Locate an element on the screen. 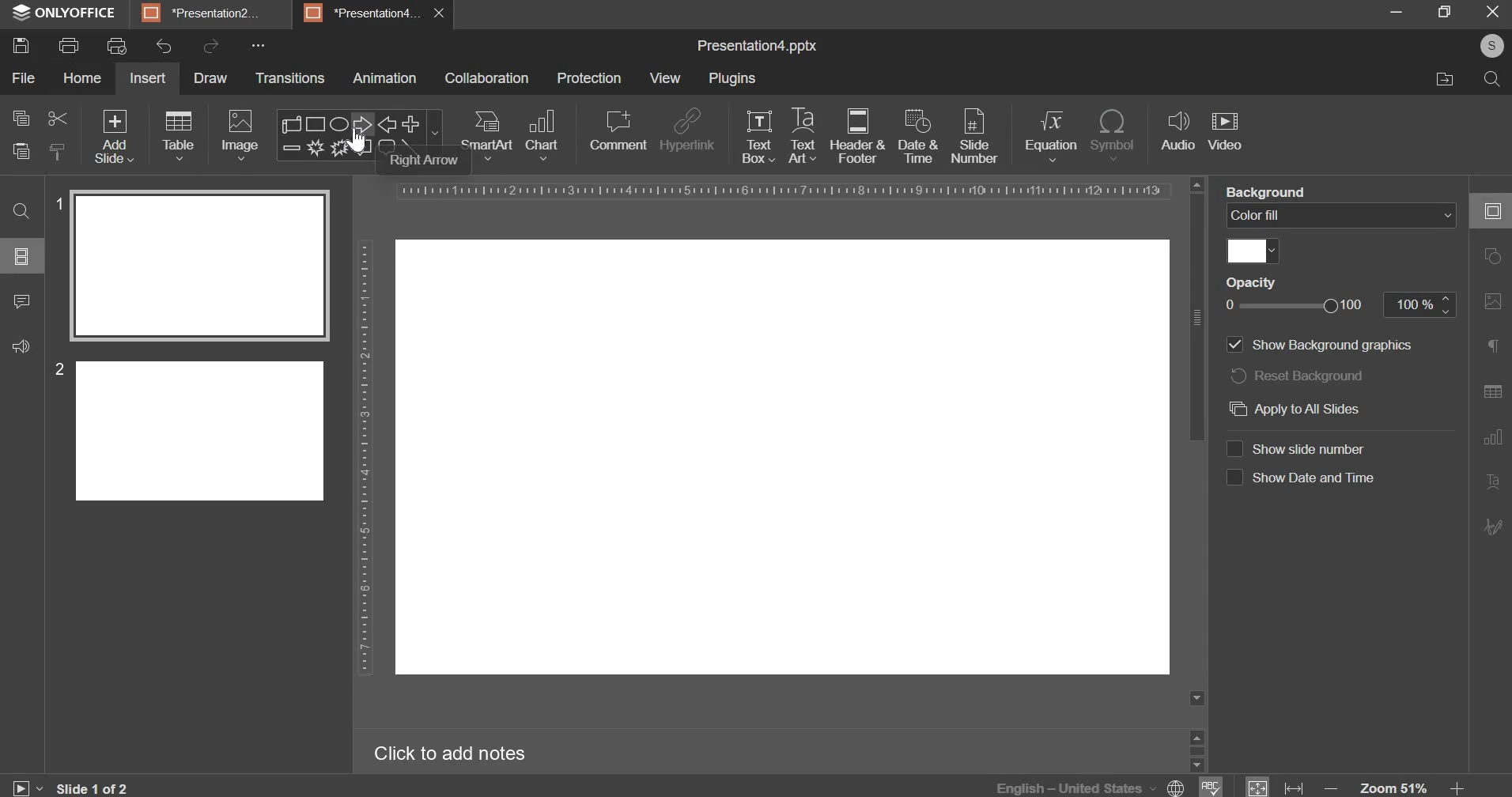 The image size is (1512, 797). print is located at coordinates (71, 45).